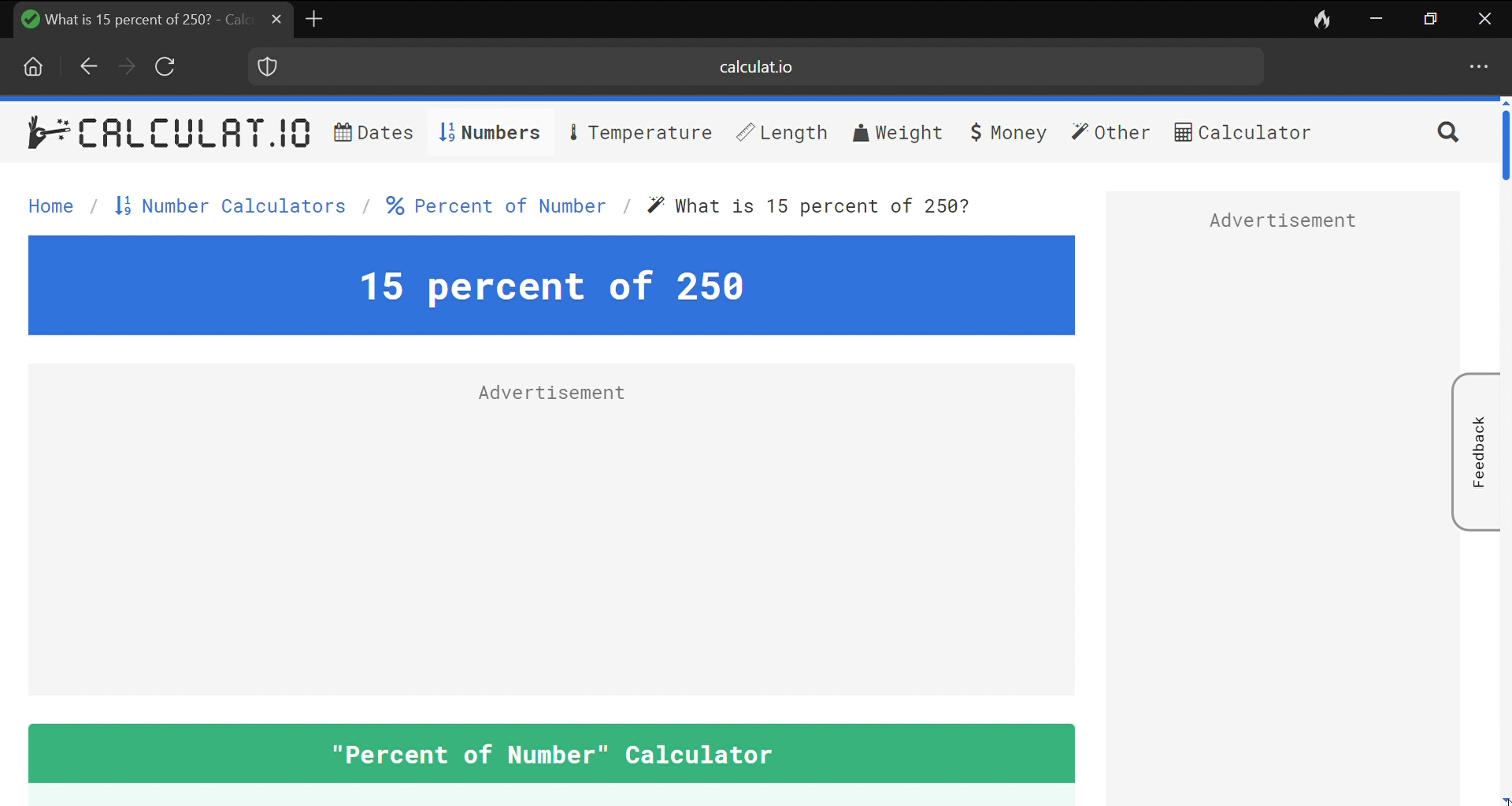 This screenshot has width=1512, height=806. Describe the element at coordinates (642, 131) in the screenshot. I see ` Temperature` at that location.